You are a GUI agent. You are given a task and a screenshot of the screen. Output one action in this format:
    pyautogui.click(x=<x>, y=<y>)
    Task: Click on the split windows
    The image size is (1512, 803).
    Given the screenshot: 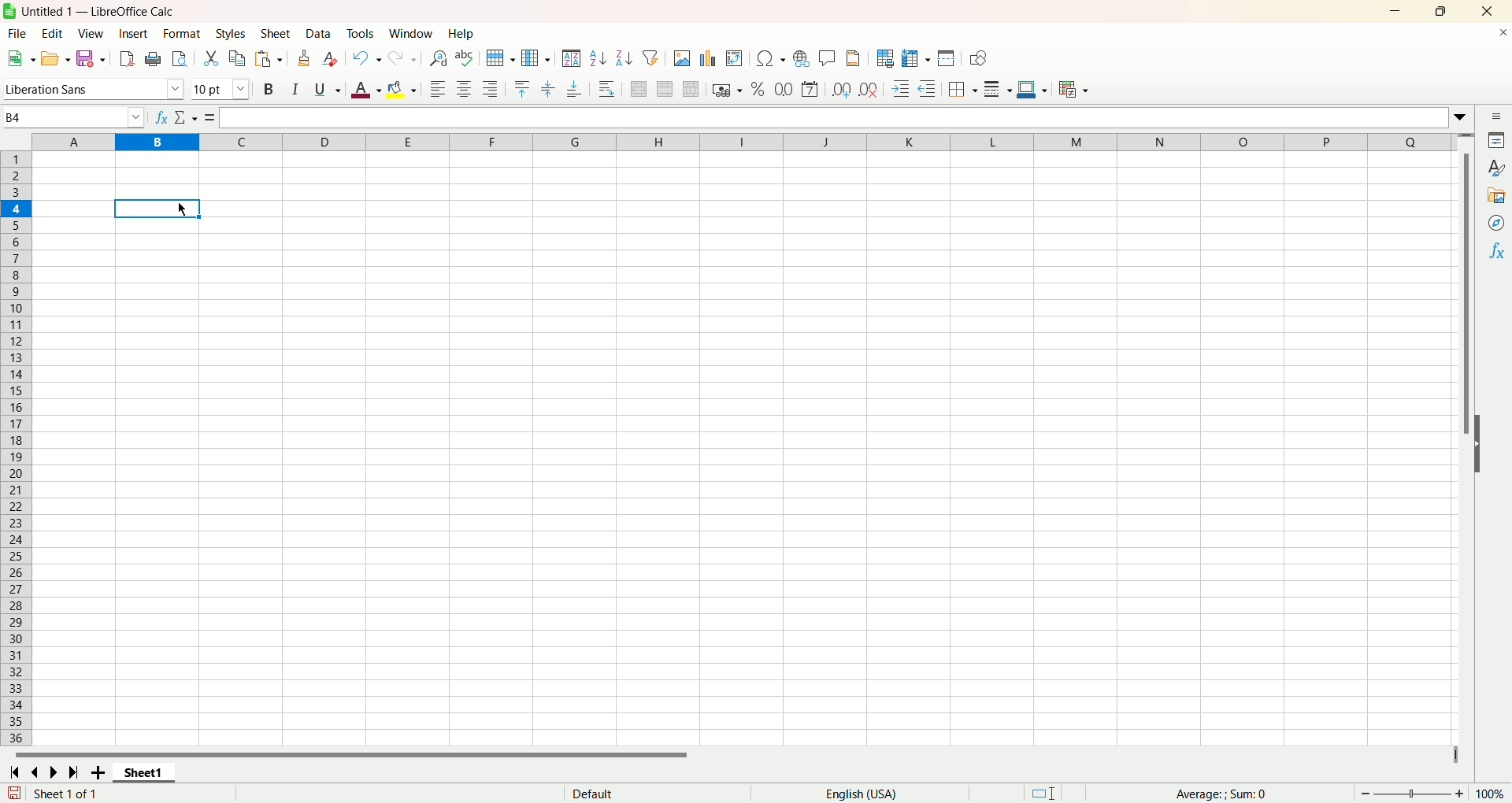 What is the action you would take?
    pyautogui.click(x=947, y=60)
    